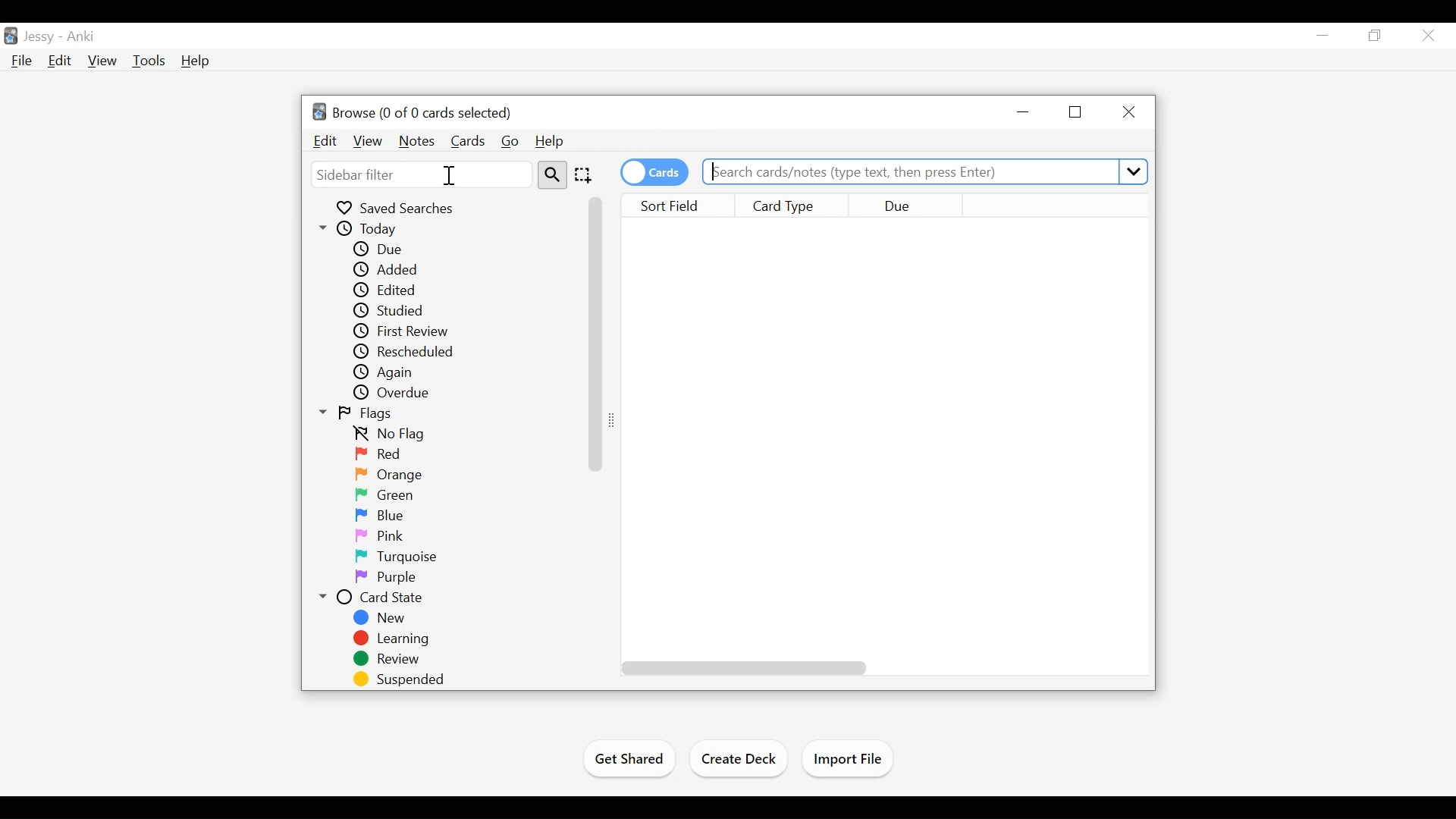 This screenshot has height=819, width=1456. Describe the element at coordinates (102, 60) in the screenshot. I see `View` at that location.